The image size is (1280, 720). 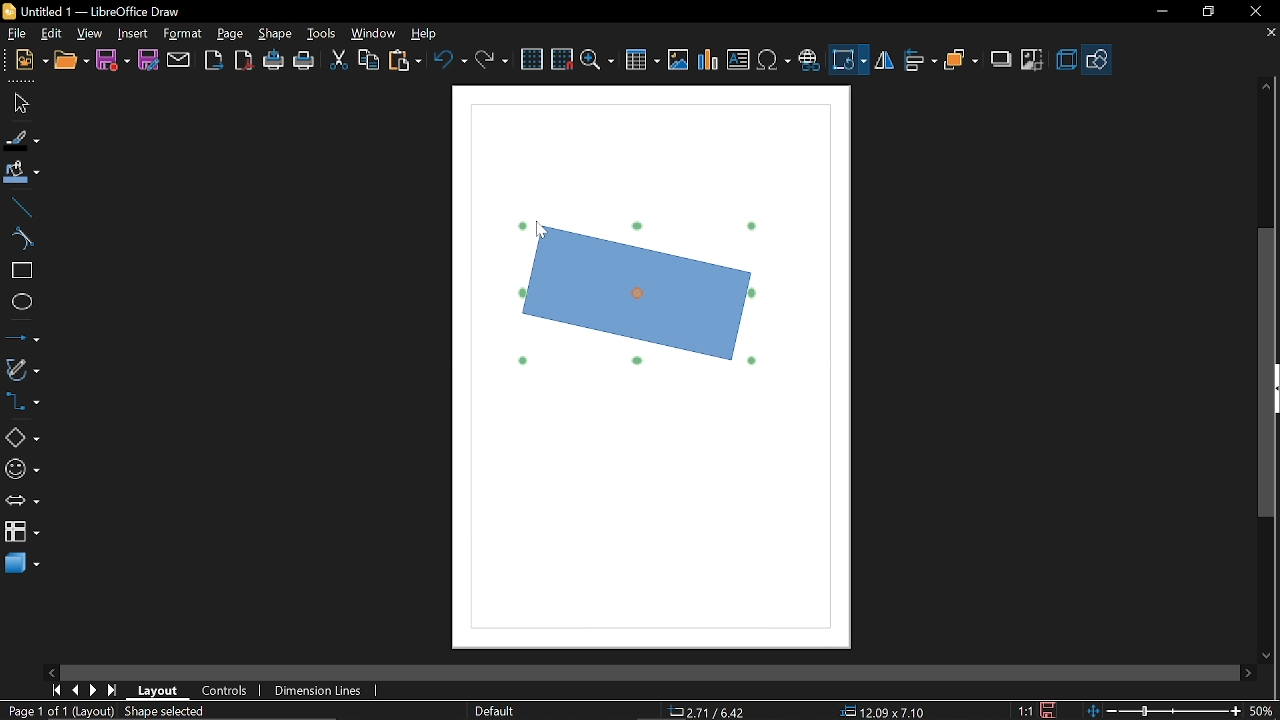 What do you see at coordinates (1208, 12) in the screenshot?
I see `restore down` at bounding box center [1208, 12].